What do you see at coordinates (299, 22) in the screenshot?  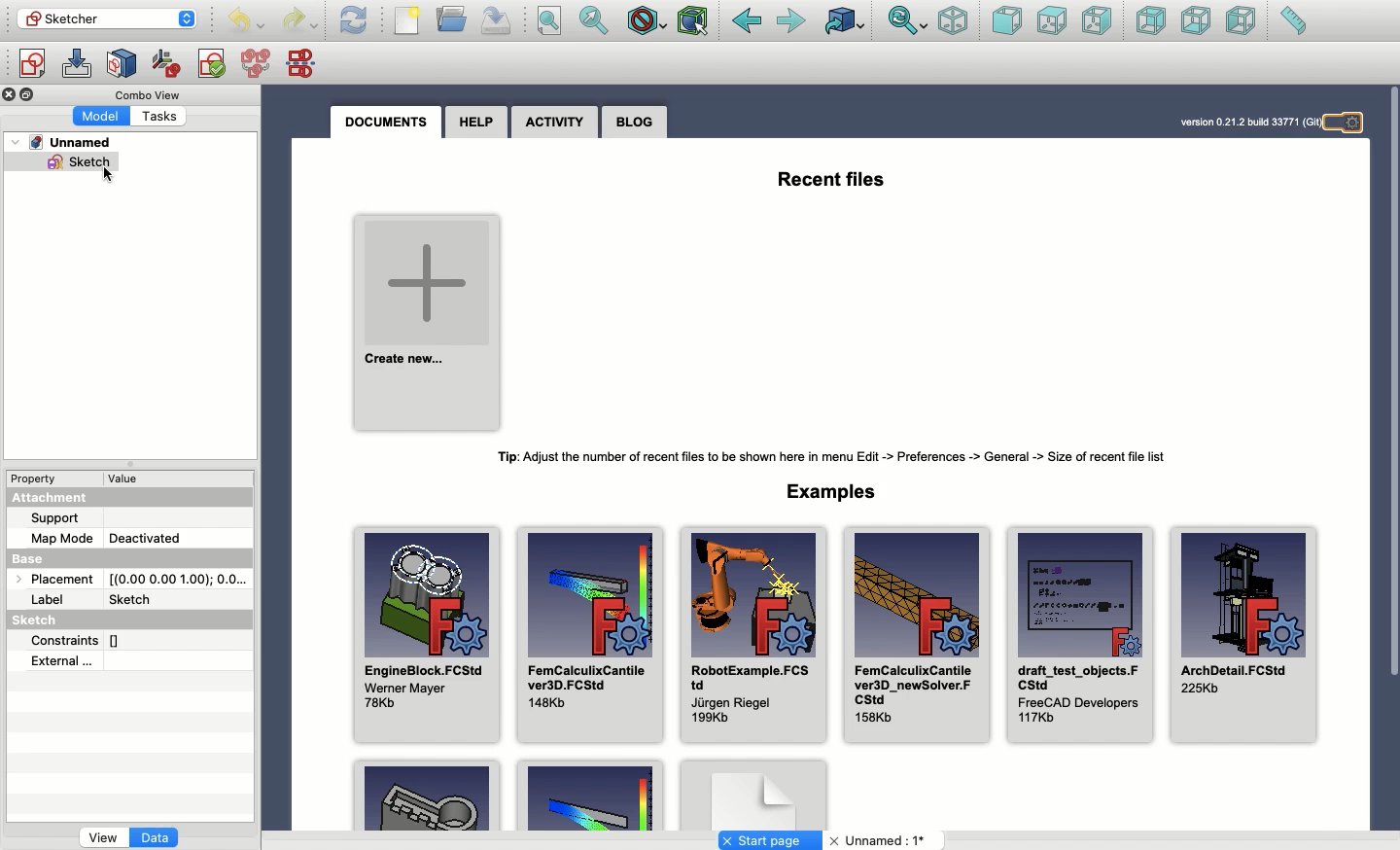 I see `Redo` at bounding box center [299, 22].